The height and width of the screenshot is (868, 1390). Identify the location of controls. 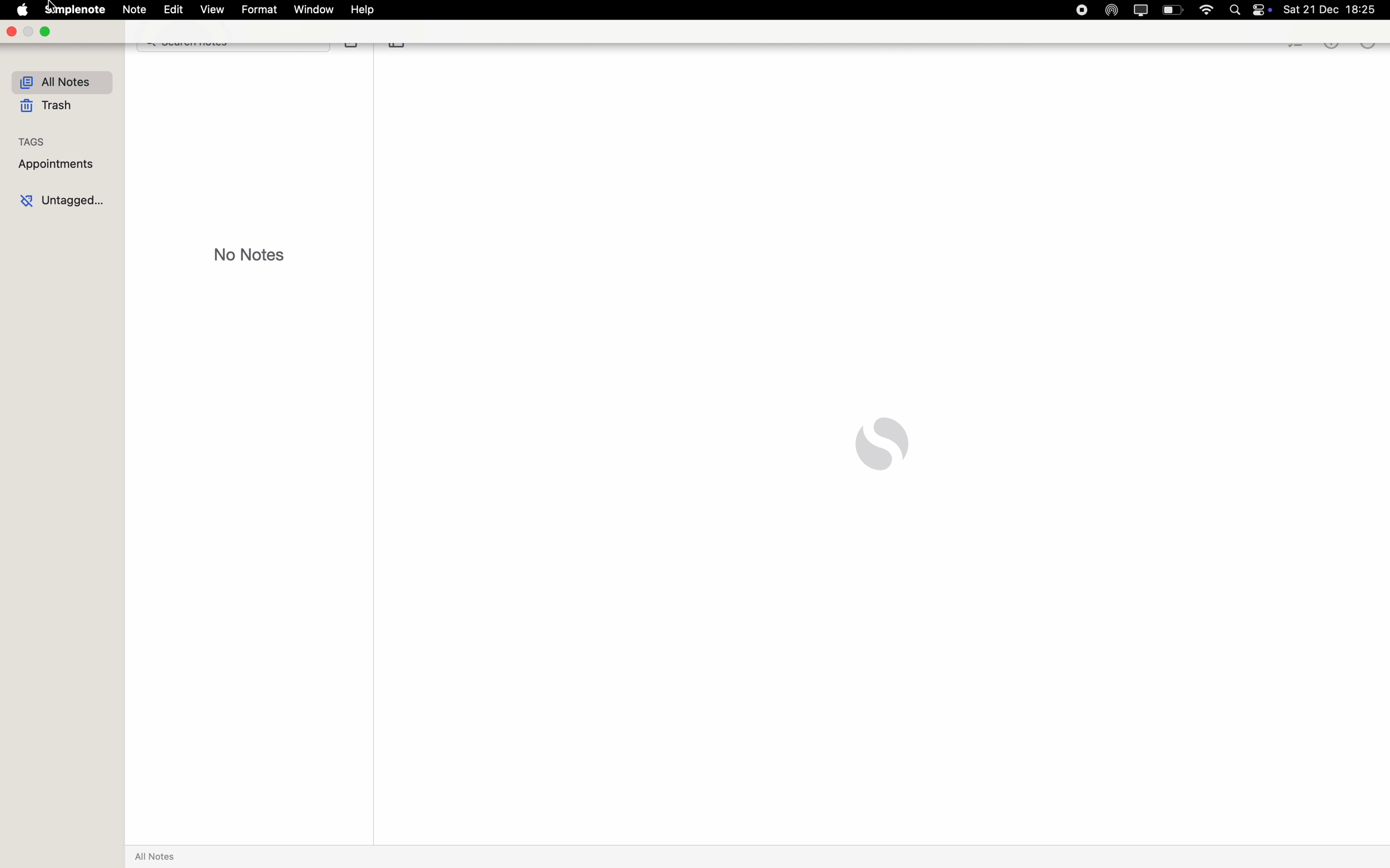
(1260, 10).